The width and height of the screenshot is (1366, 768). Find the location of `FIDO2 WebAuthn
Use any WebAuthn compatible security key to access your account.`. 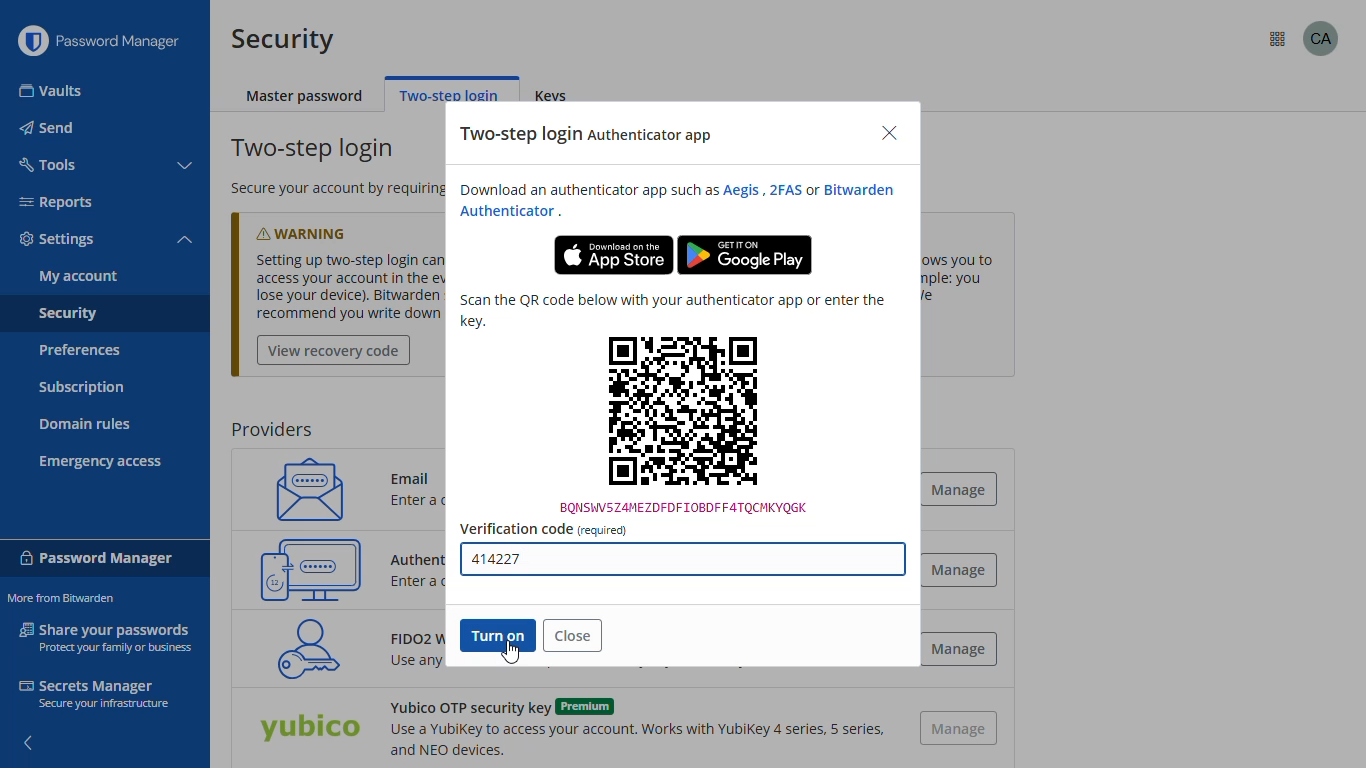

FIDO2 WebAuthn
Use any WebAuthn compatible security key to access your account. is located at coordinates (402, 654).